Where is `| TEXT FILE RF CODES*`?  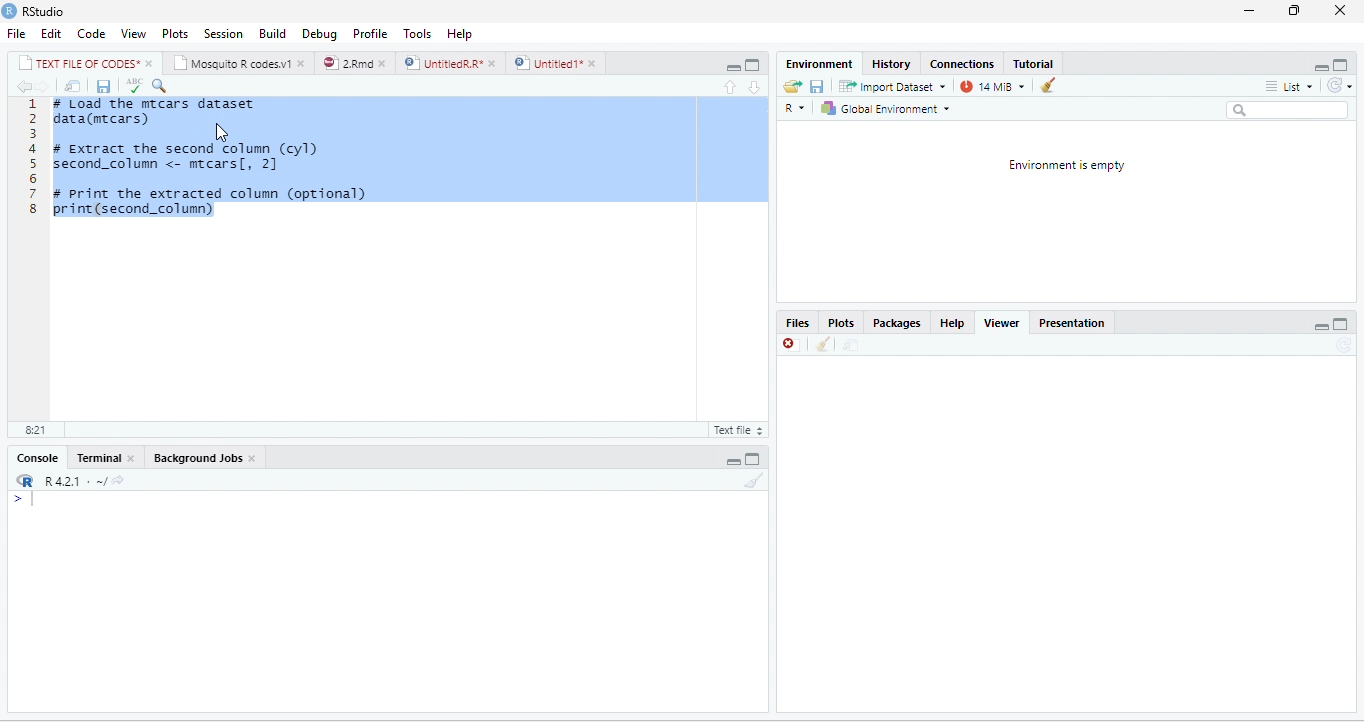
| TEXT FILE RF CODES* is located at coordinates (78, 61).